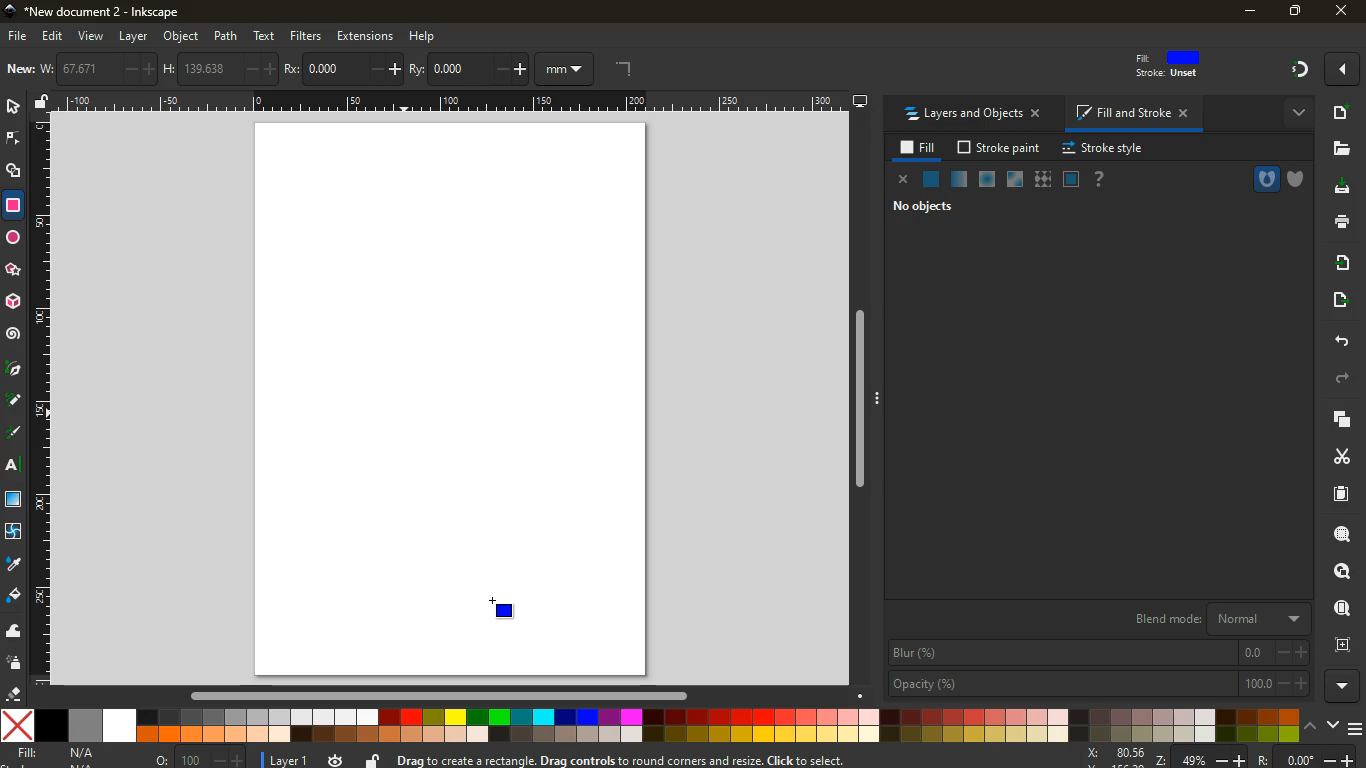  Describe the element at coordinates (15, 37) in the screenshot. I see `file` at that location.